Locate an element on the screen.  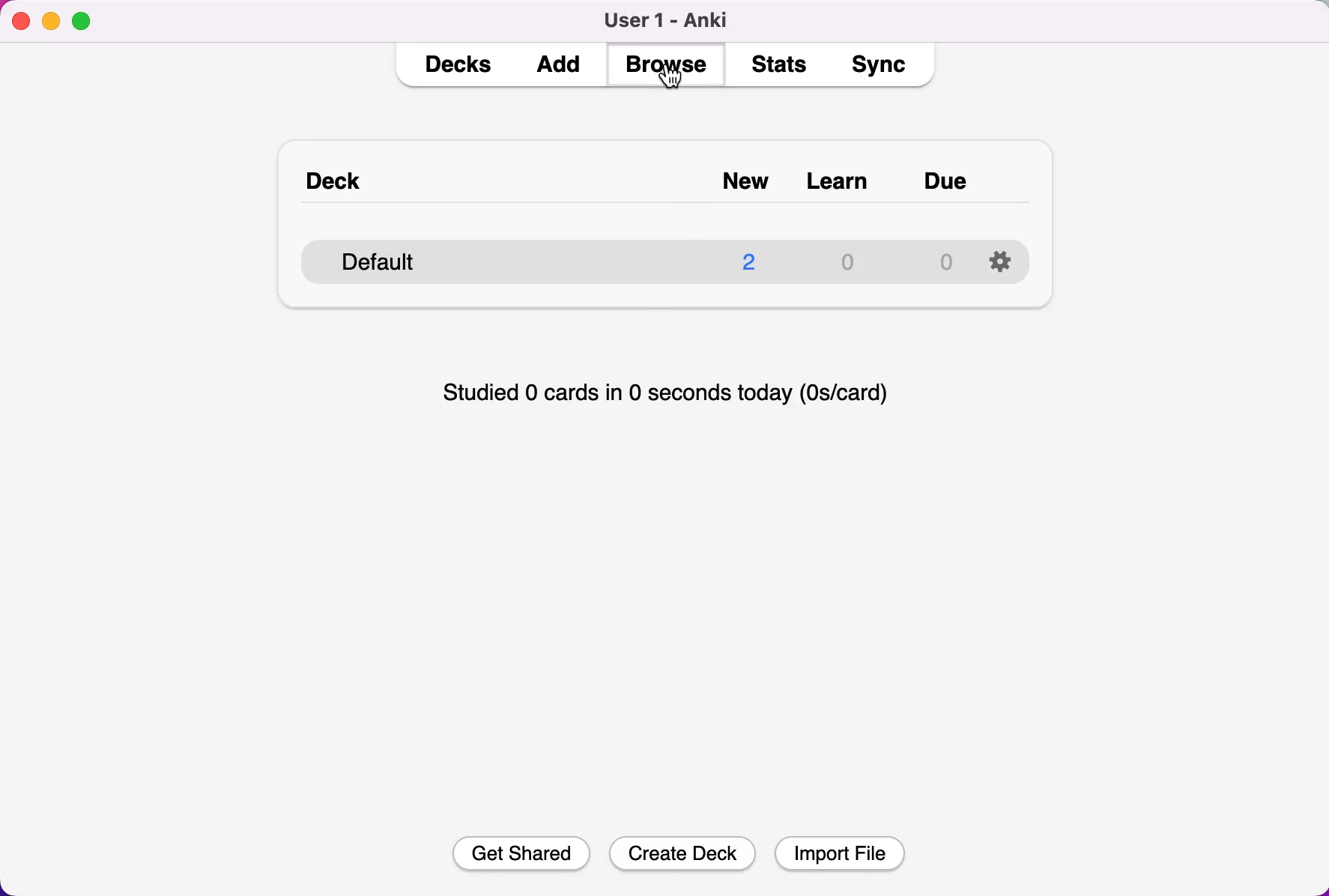
stats is located at coordinates (791, 68).